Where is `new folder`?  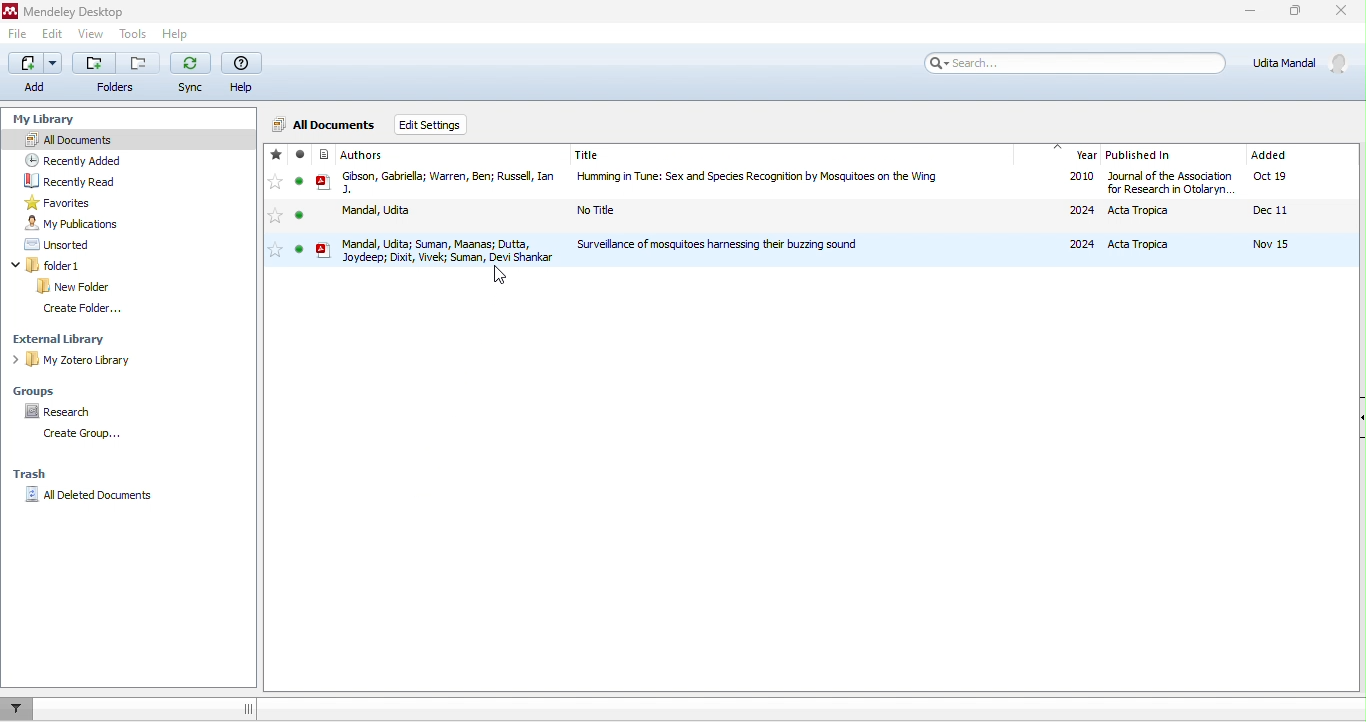
new folder is located at coordinates (78, 287).